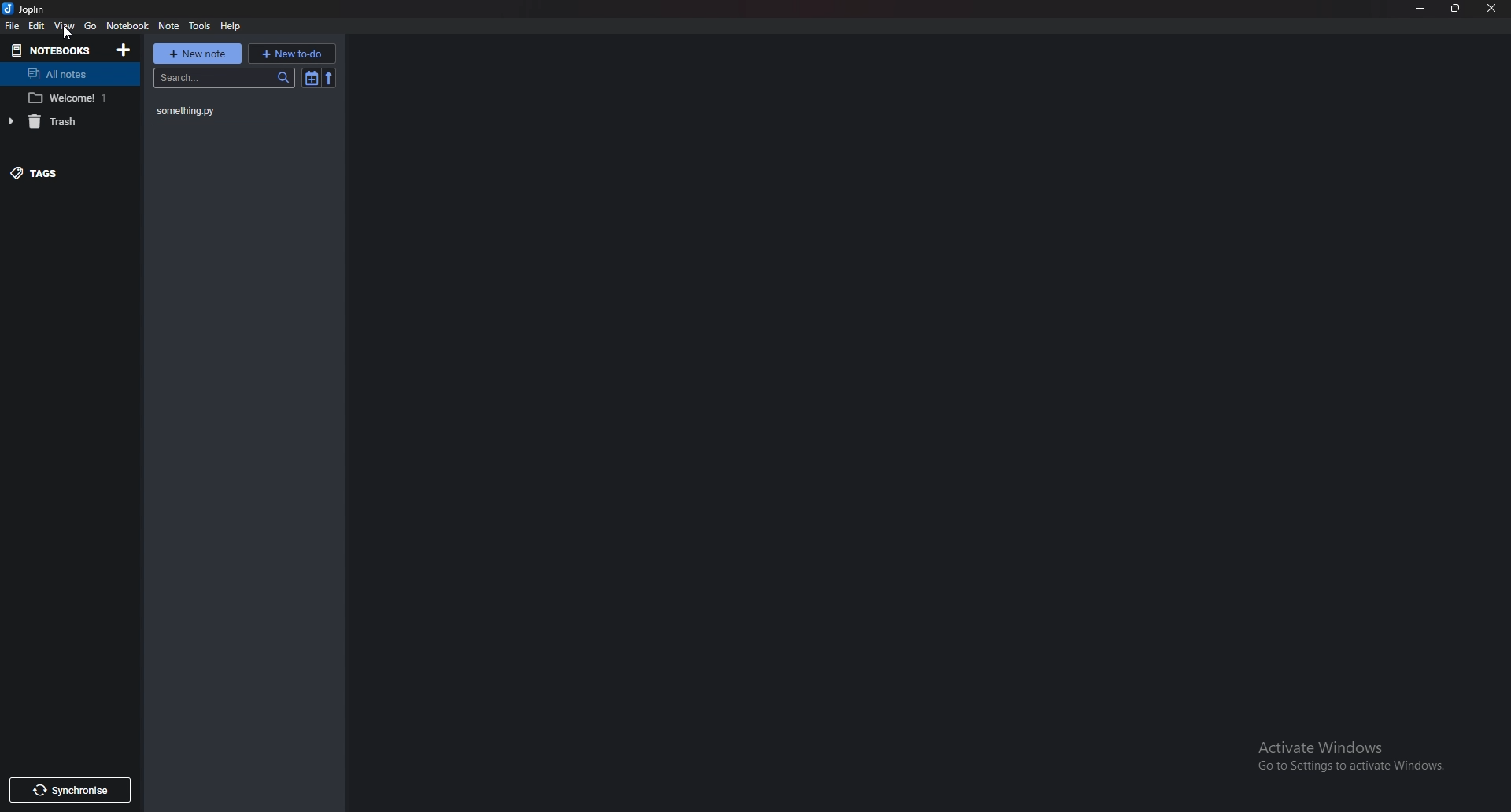 This screenshot has width=1511, height=812. What do you see at coordinates (62, 121) in the screenshot?
I see `Trash` at bounding box center [62, 121].